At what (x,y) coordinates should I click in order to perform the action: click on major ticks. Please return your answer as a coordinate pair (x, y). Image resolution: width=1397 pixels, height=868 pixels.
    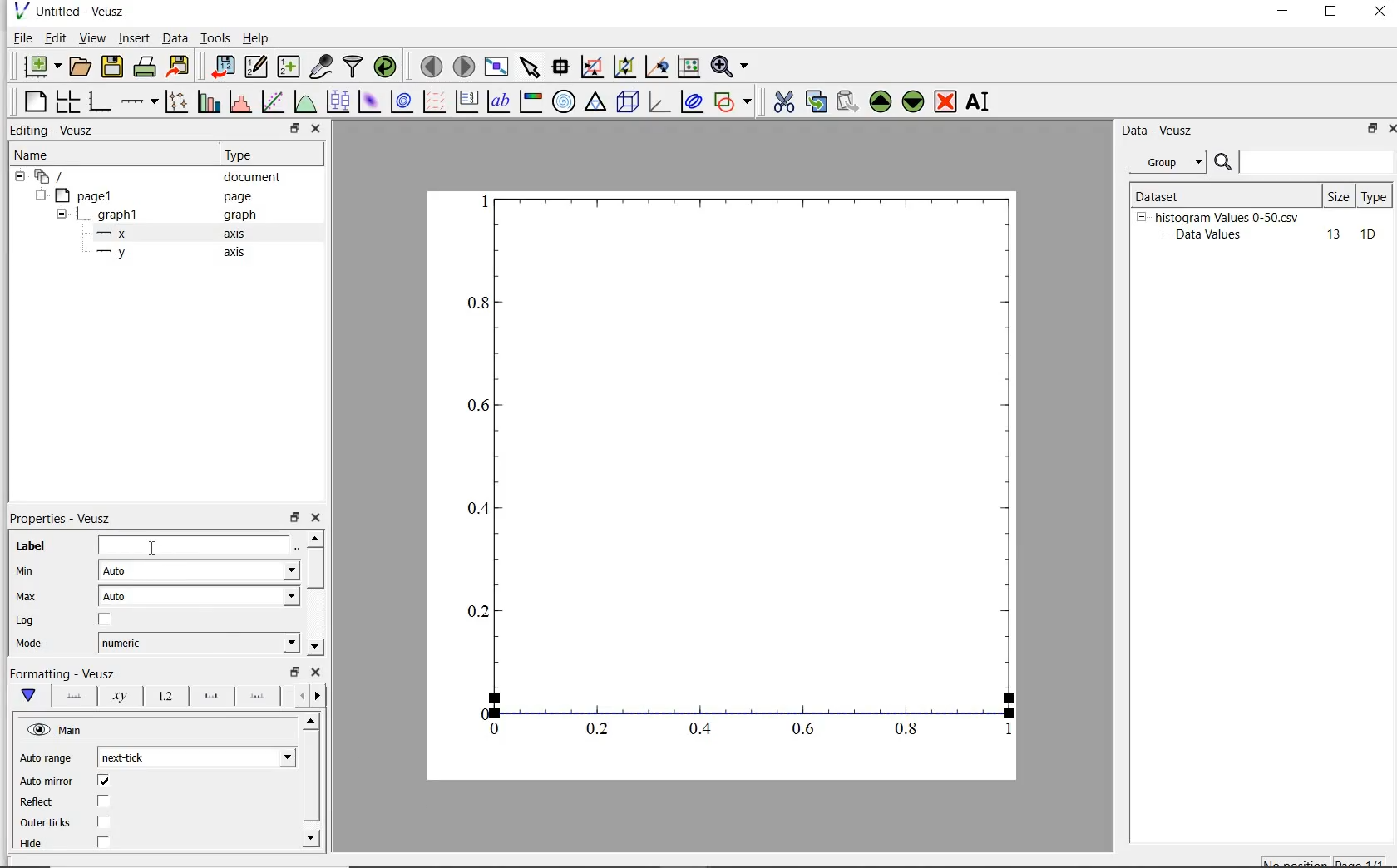
    Looking at the image, I should click on (210, 697).